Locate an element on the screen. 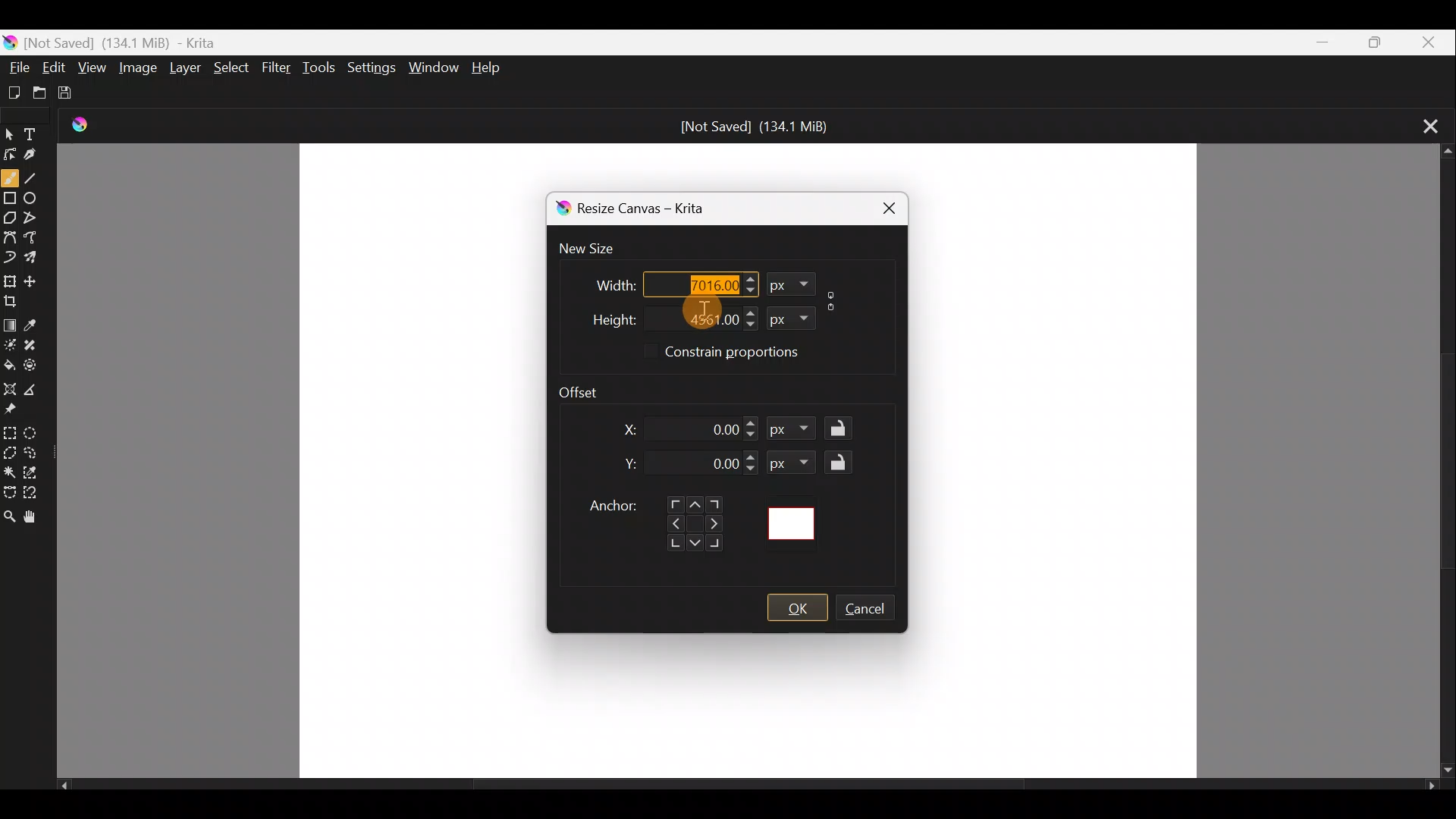 The image size is (1456, 819). Ellipse tool is located at coordinates (35, 196).